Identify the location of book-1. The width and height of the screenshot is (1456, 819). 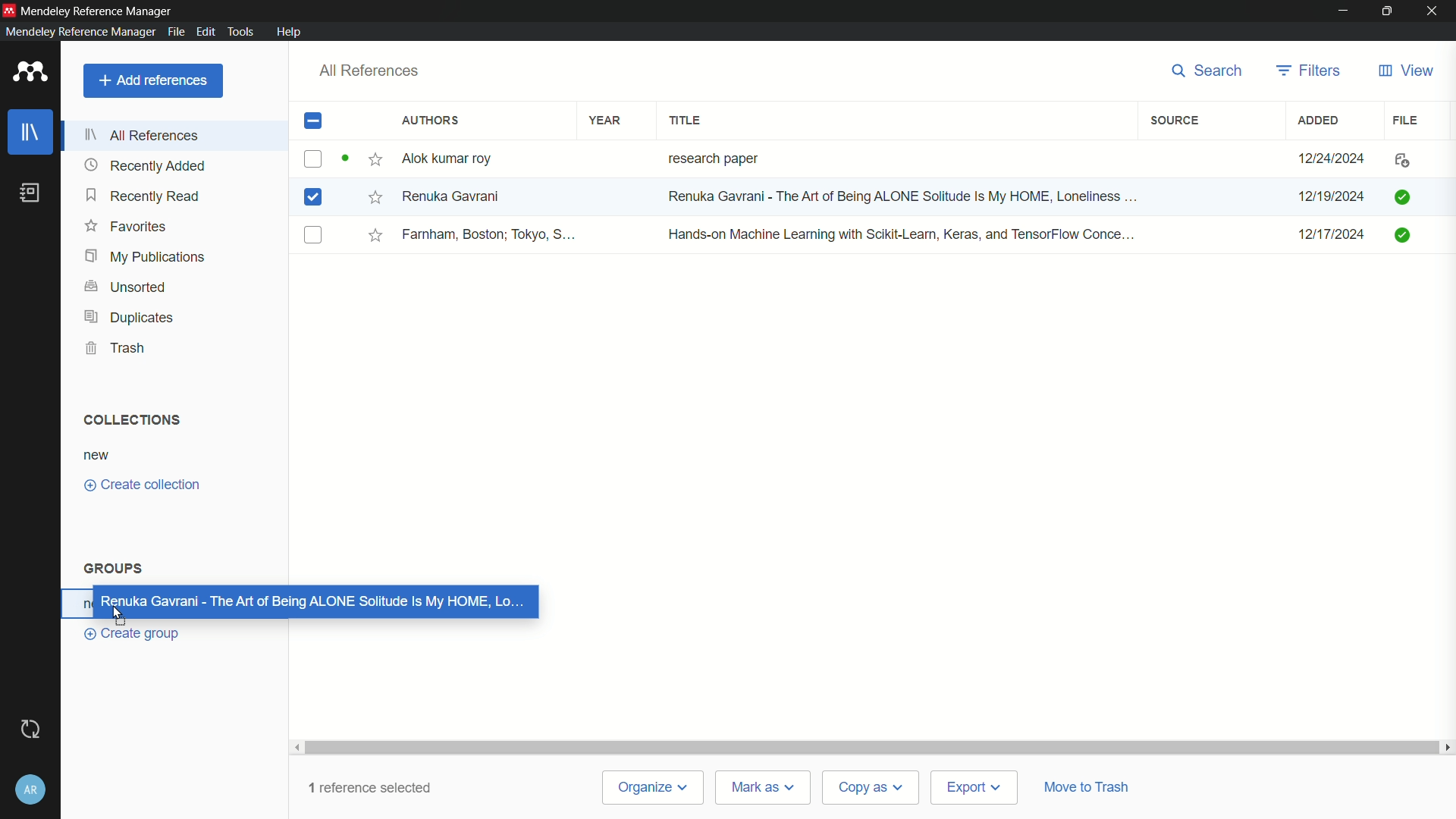
(312, 158).